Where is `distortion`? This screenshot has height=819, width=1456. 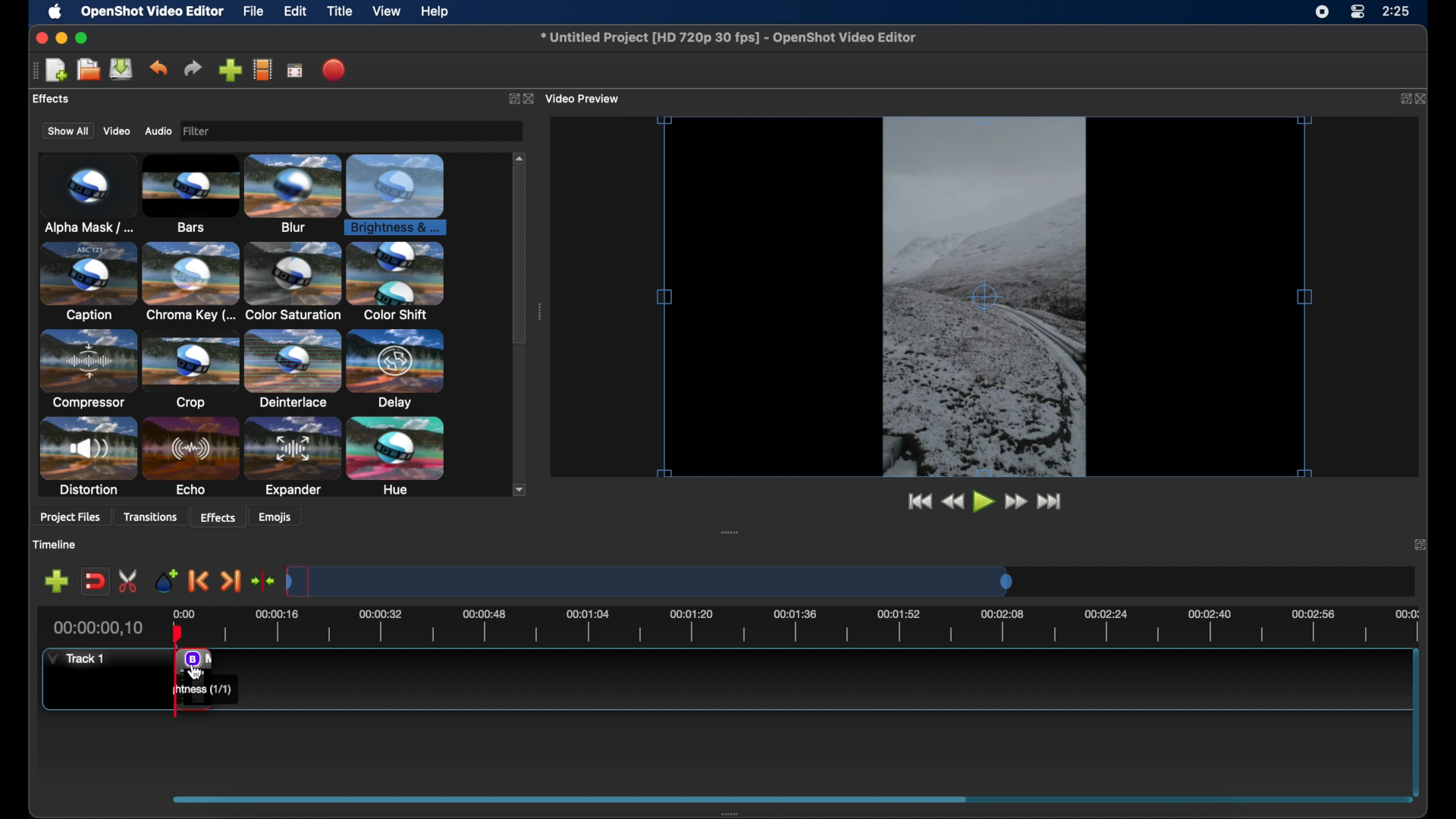 distortion is located at coordinates (88, 457).